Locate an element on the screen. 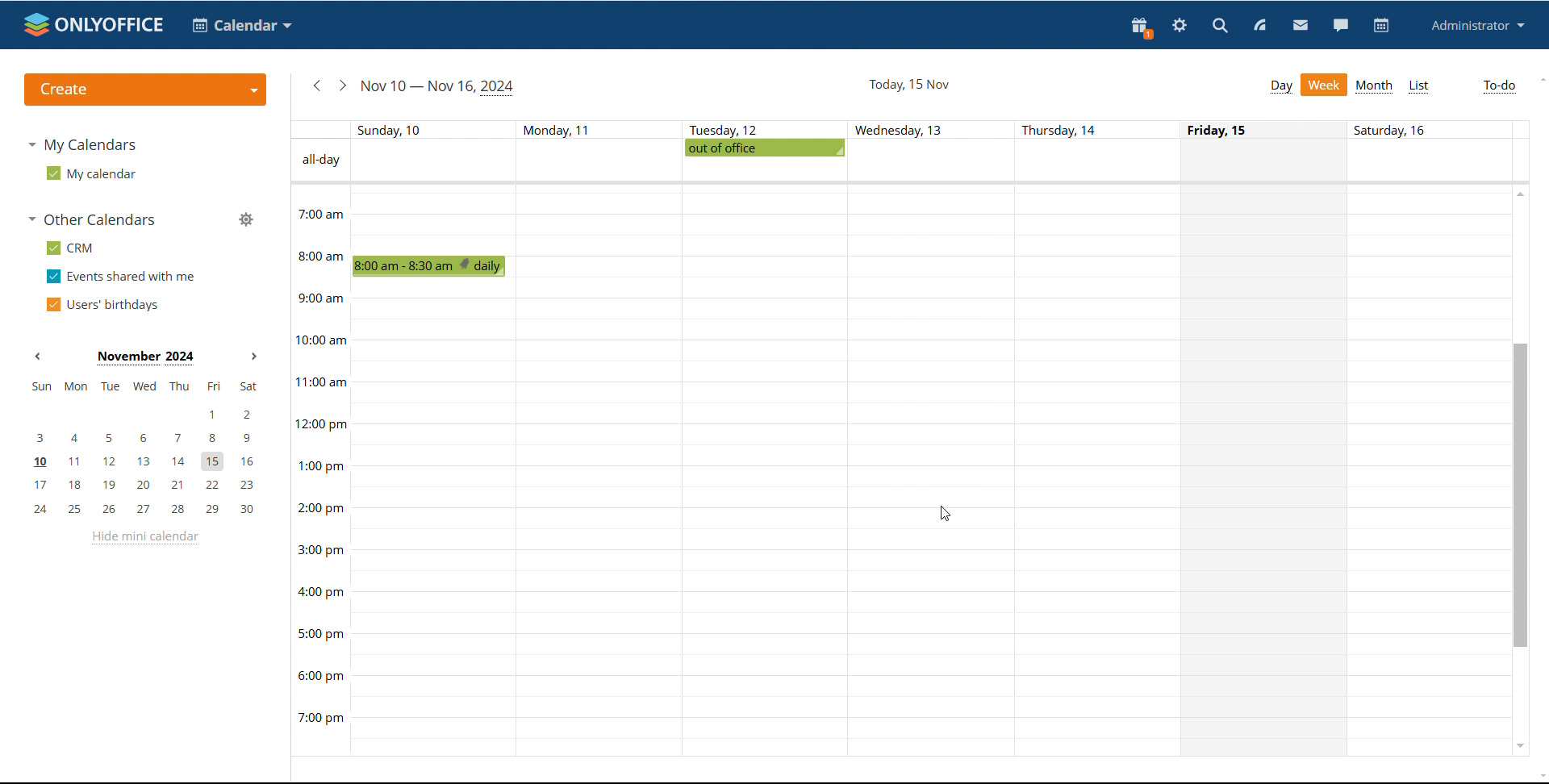 The width and height of the screenshot is (1549, 784). 1, 2 is located at coordinates (144, 411).